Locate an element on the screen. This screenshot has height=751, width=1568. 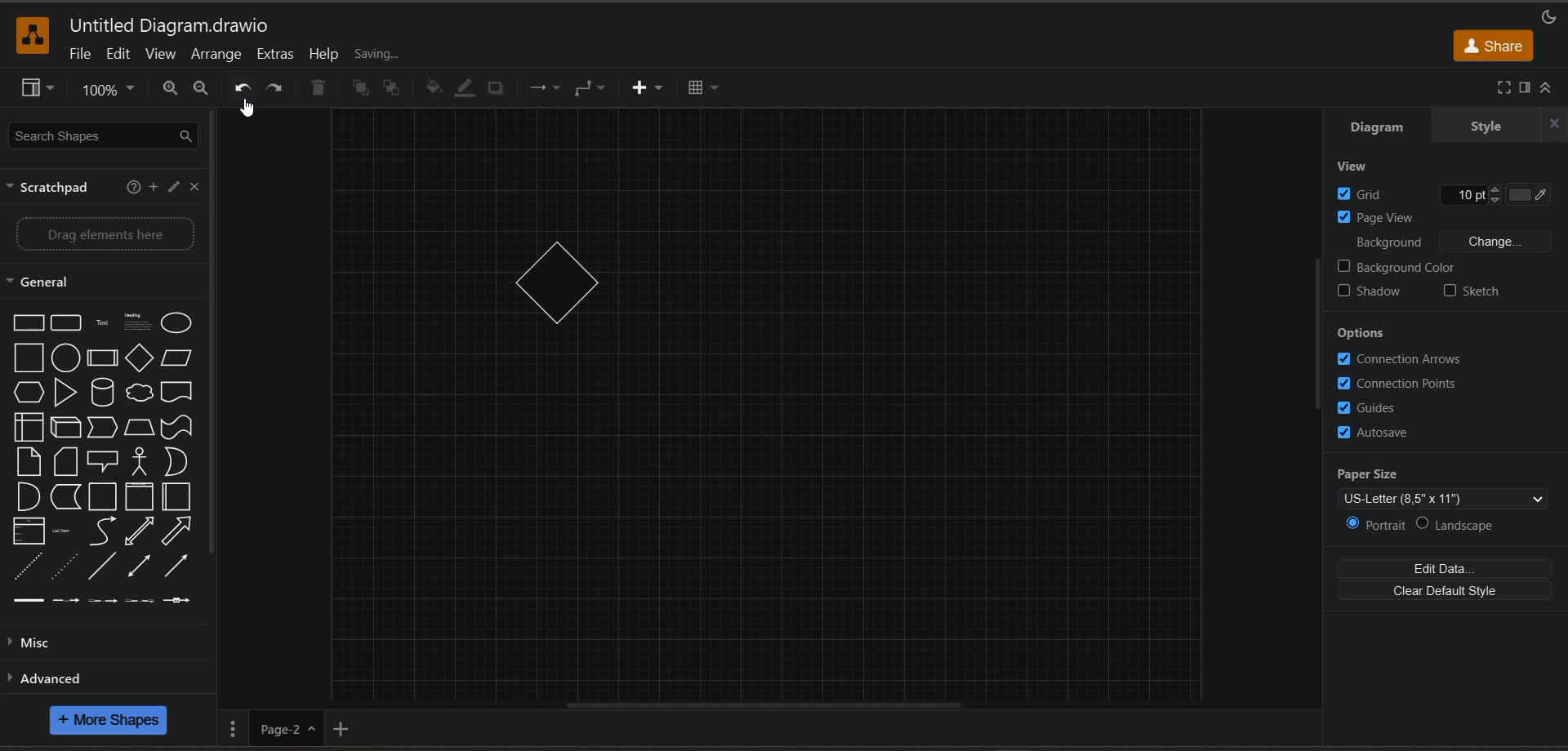
Vertical Container is located at coordinates (139, 497).